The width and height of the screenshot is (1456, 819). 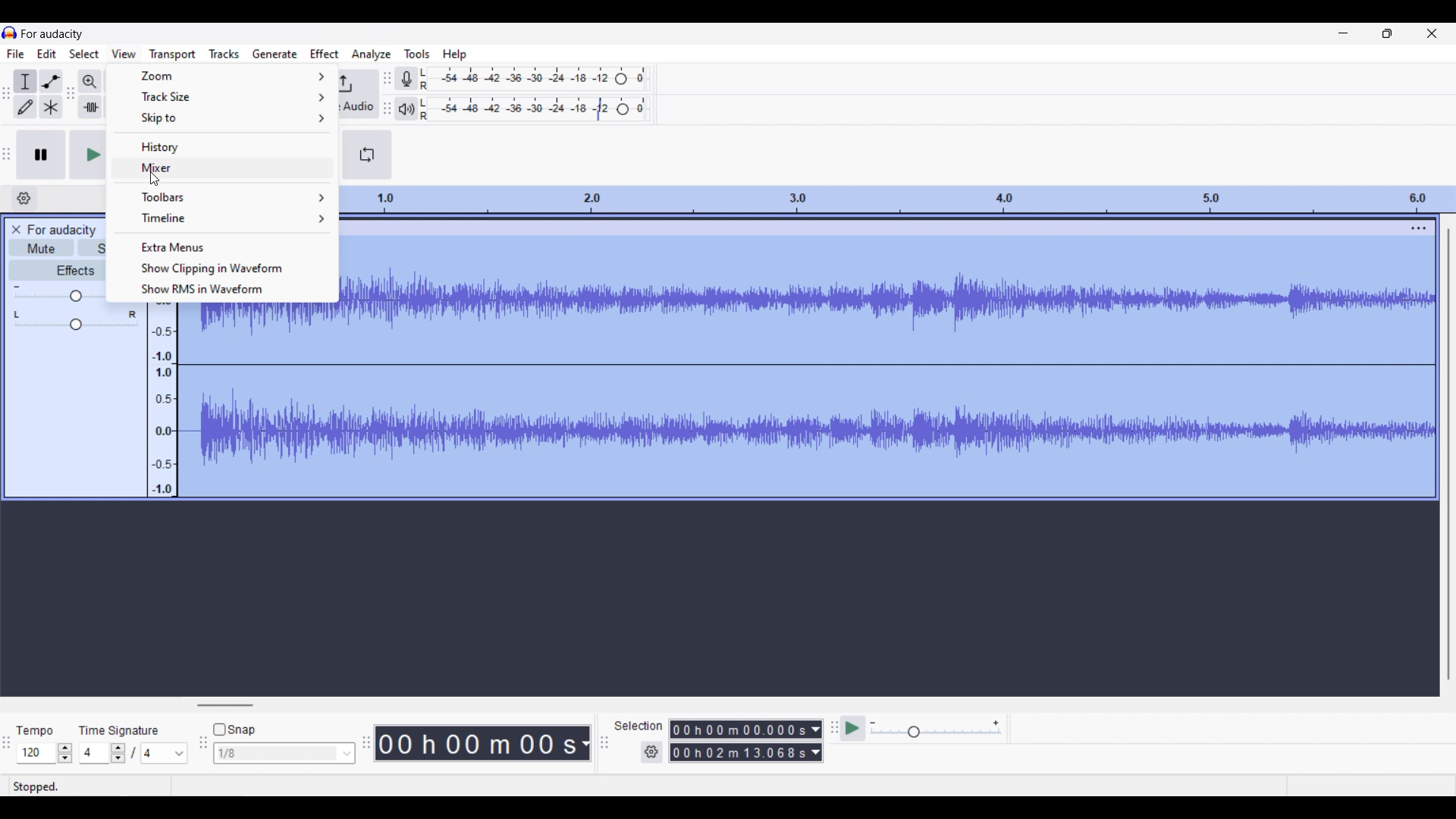 I want to click on Trim audio outside selection, so click(x=90, y=107).